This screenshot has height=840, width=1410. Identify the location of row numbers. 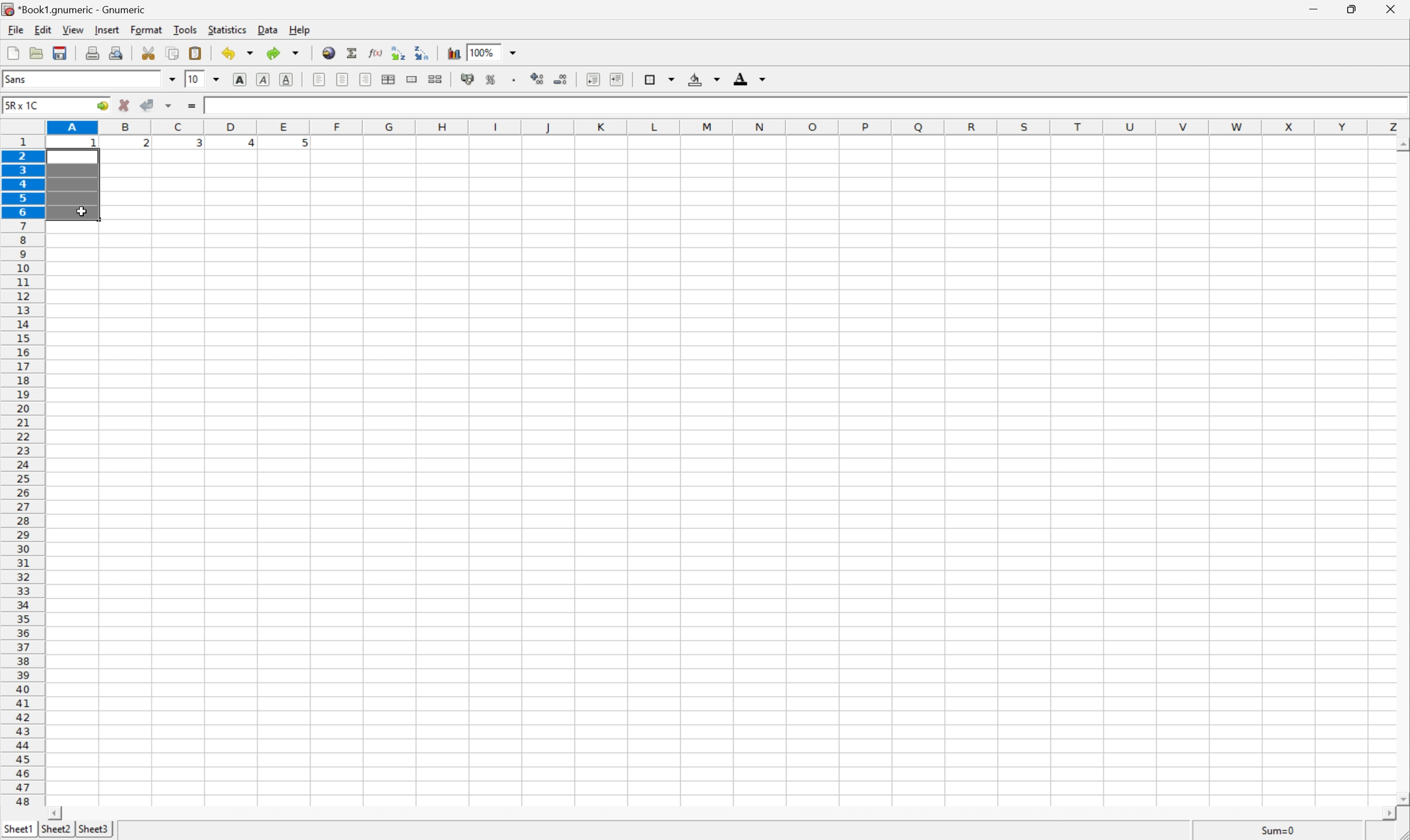
(23, 471).